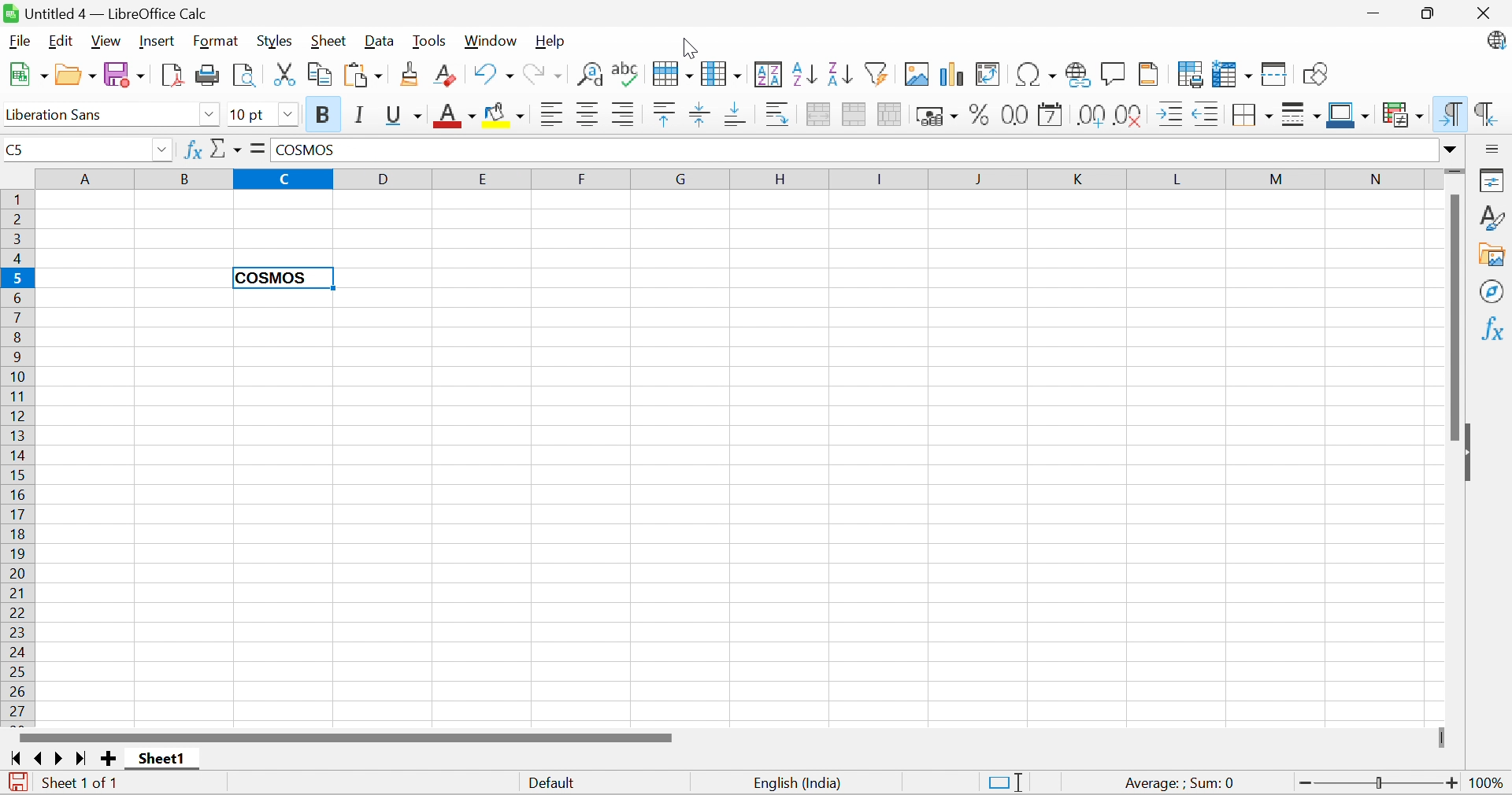 Image resolution: width=1512 pixels, height=795 pixels. What do you see at coordinates (1191, 74) in the screenshot?
I see `Define Print Area` at bounding box center [1191, 74].